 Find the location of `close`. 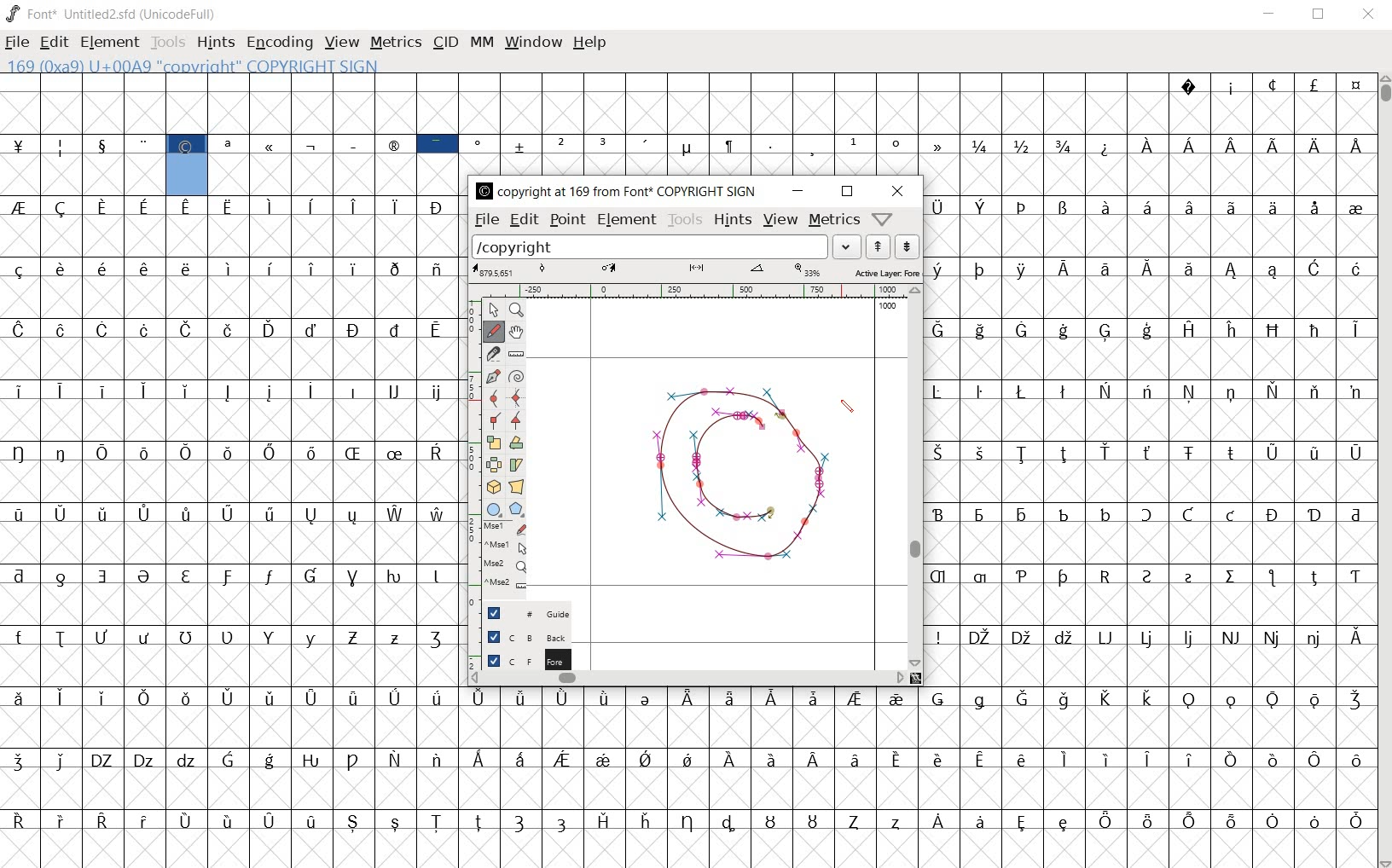

close is located at coordinates (902, 190).